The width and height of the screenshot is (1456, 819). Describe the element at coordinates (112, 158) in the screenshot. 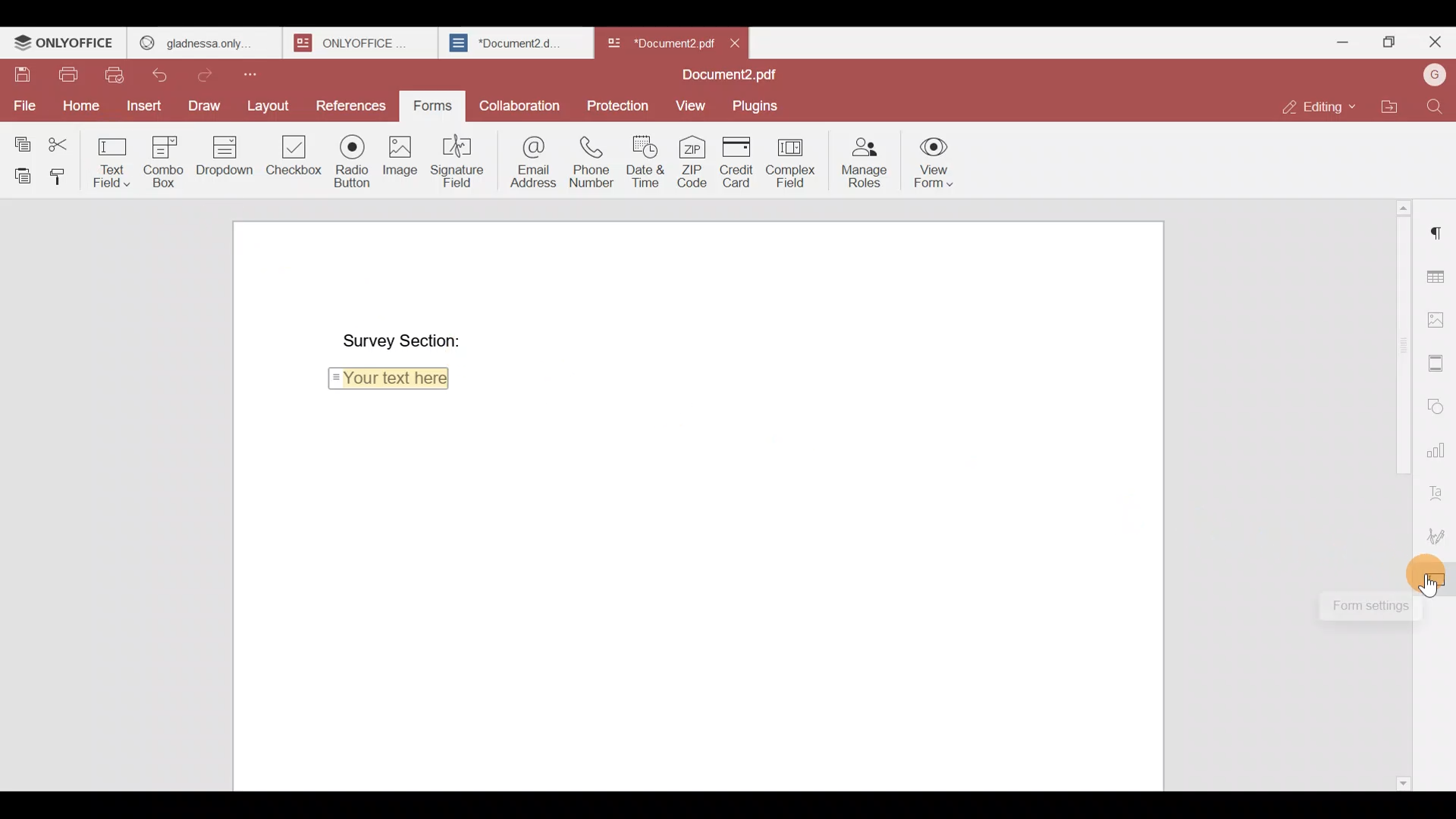

I see `Text field` at that location.